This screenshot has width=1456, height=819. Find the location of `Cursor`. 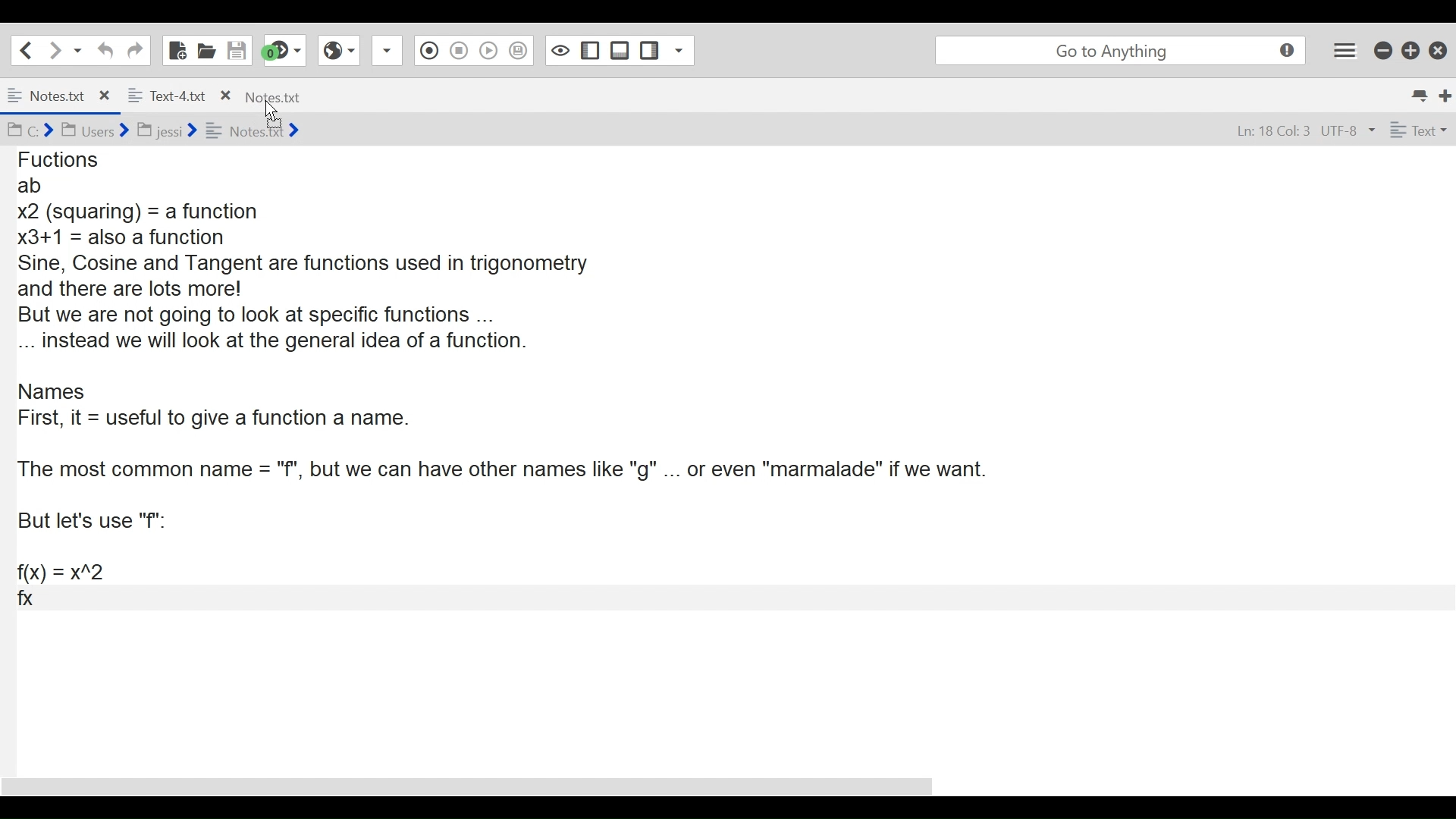

Cursor is located at coordinates (275, 113).